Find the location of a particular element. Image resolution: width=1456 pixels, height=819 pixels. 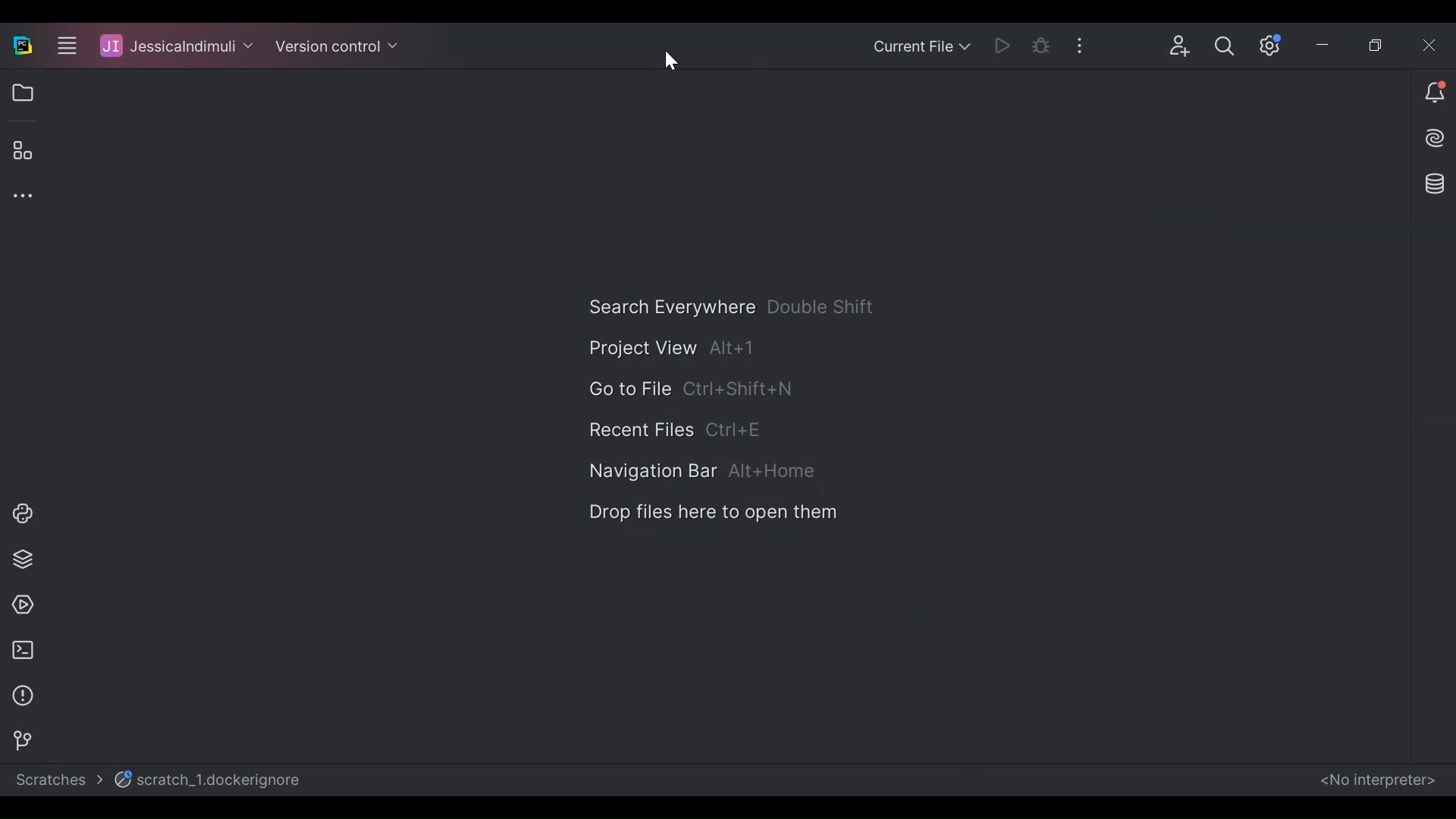

Minimize is located at coordinates (1335, 44).